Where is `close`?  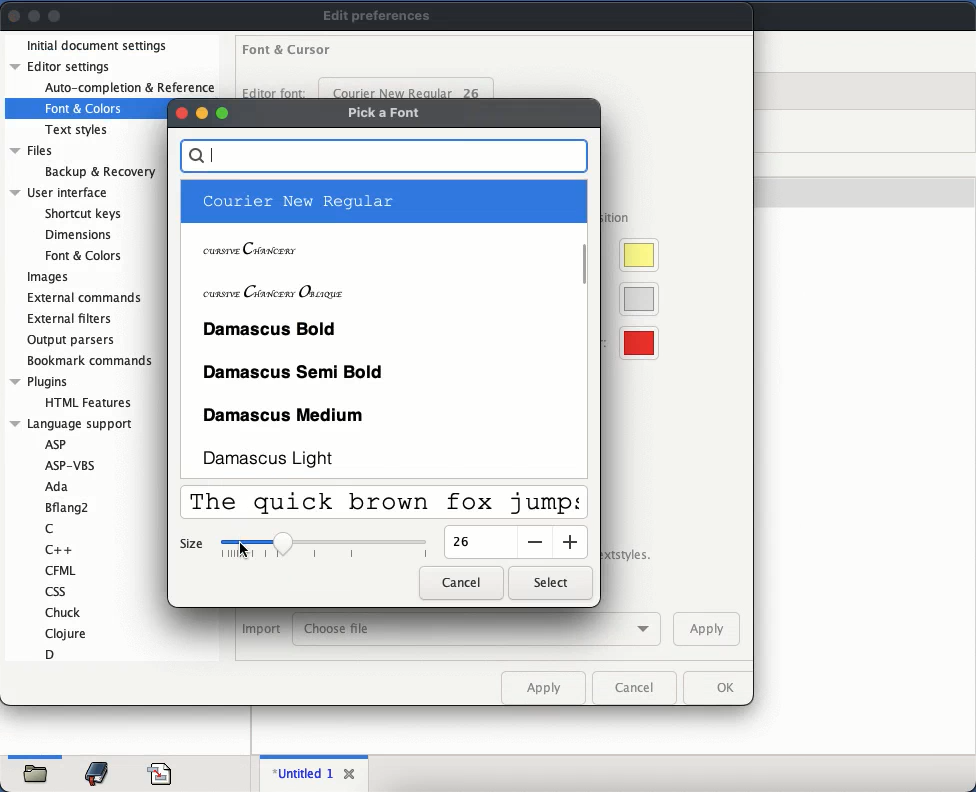
close is located at coordinates (353, 774).